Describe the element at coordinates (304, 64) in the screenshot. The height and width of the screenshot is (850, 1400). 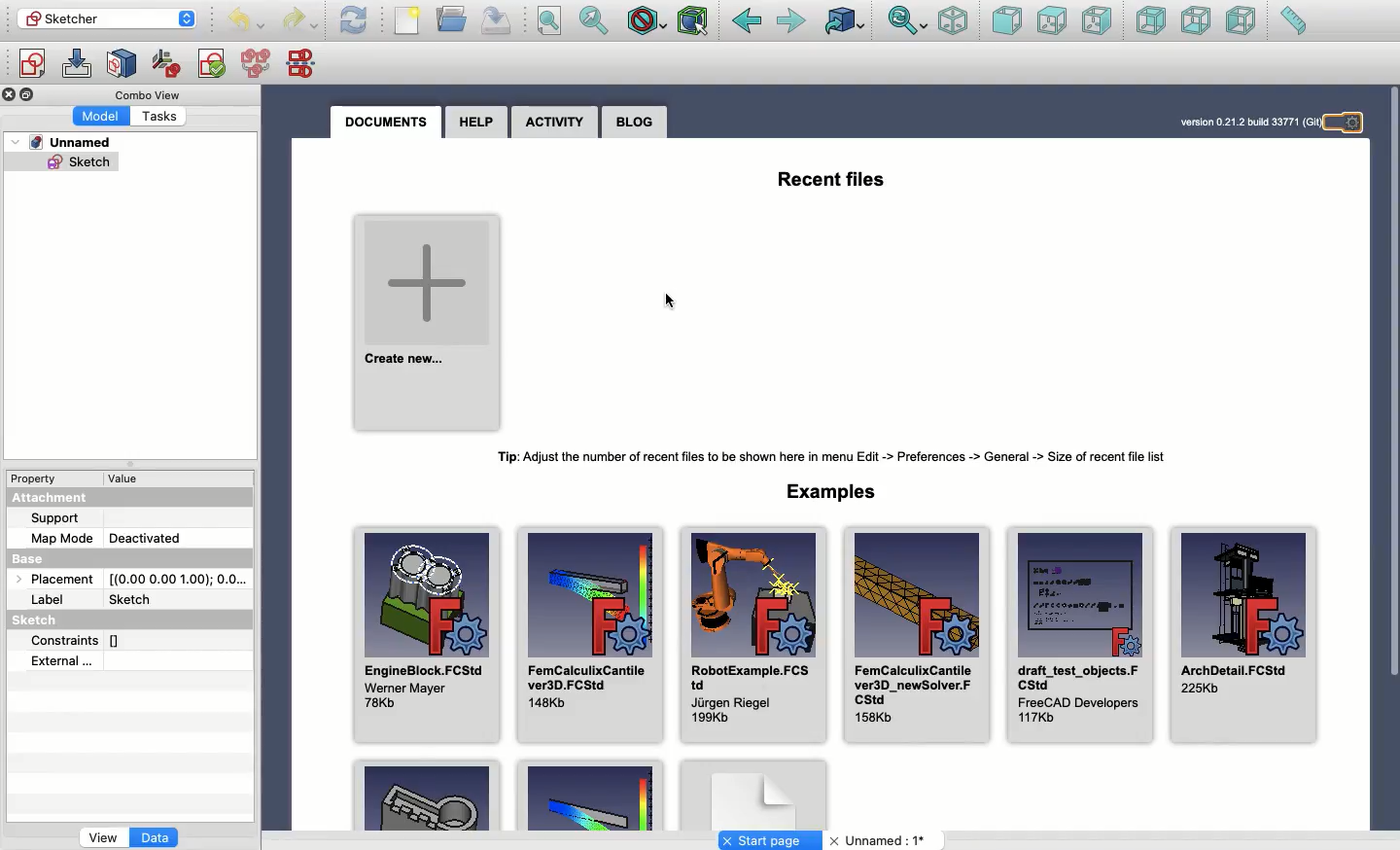
I see `Mirror sketch` at that location.